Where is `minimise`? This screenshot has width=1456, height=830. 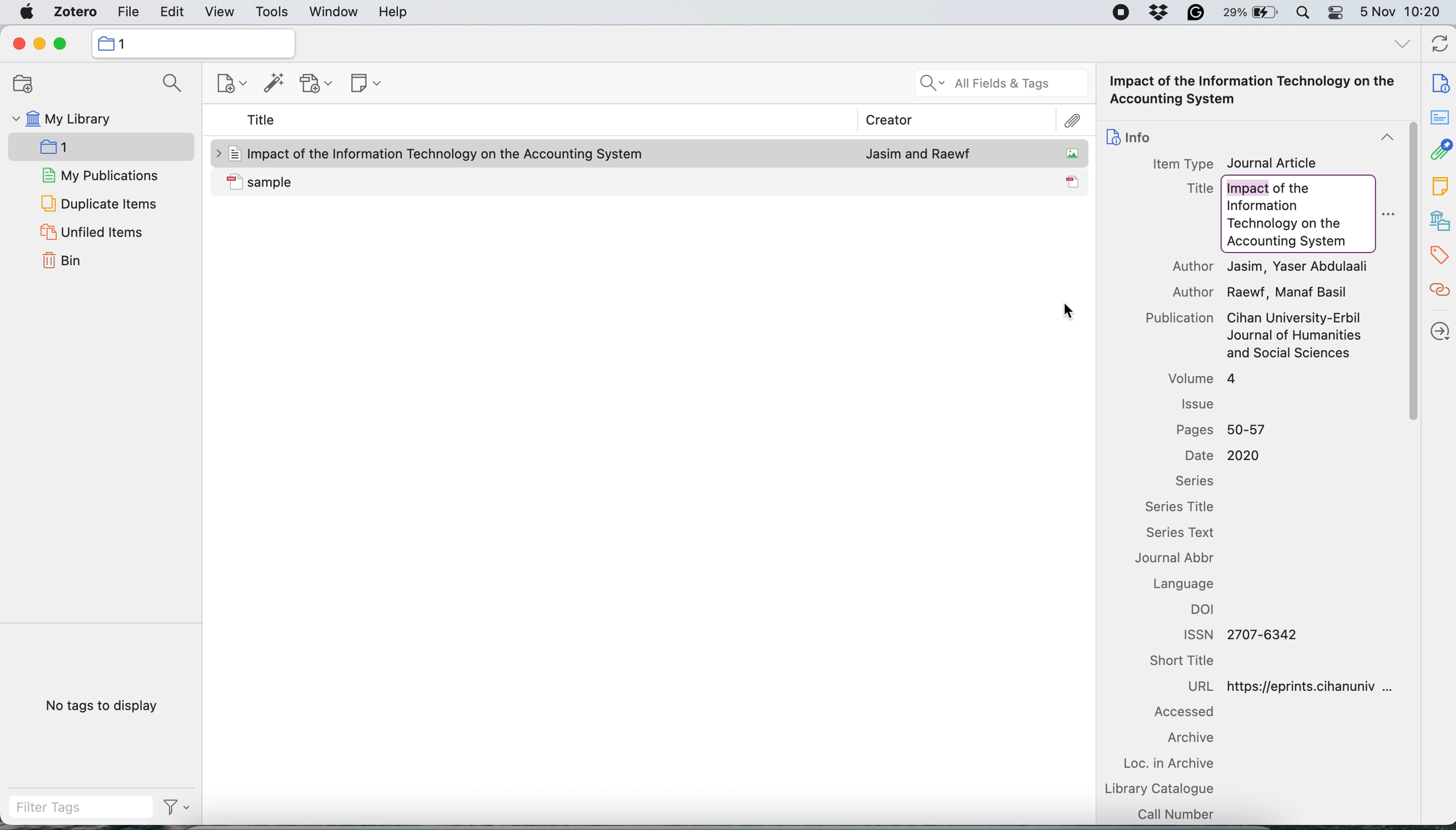 minimise is located at coordinates (40, 44).